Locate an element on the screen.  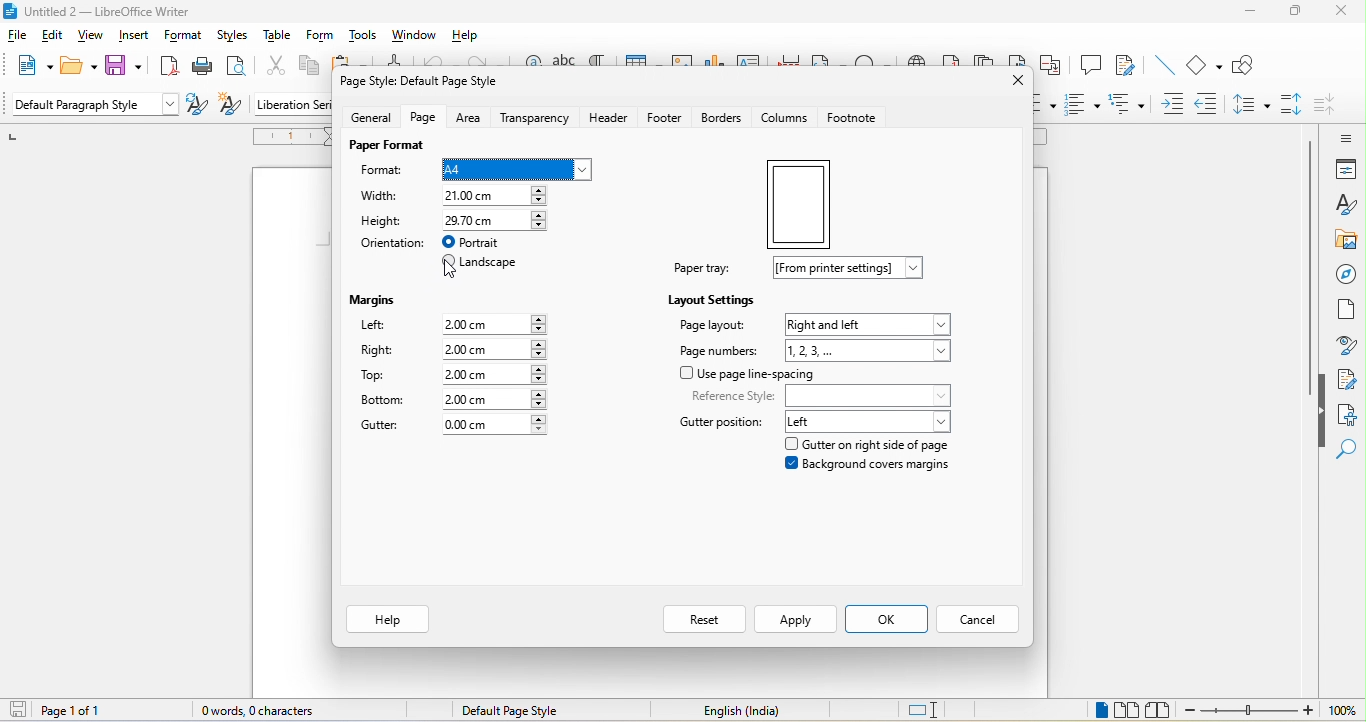
style inspecter is located at coordinates (1346, 347).